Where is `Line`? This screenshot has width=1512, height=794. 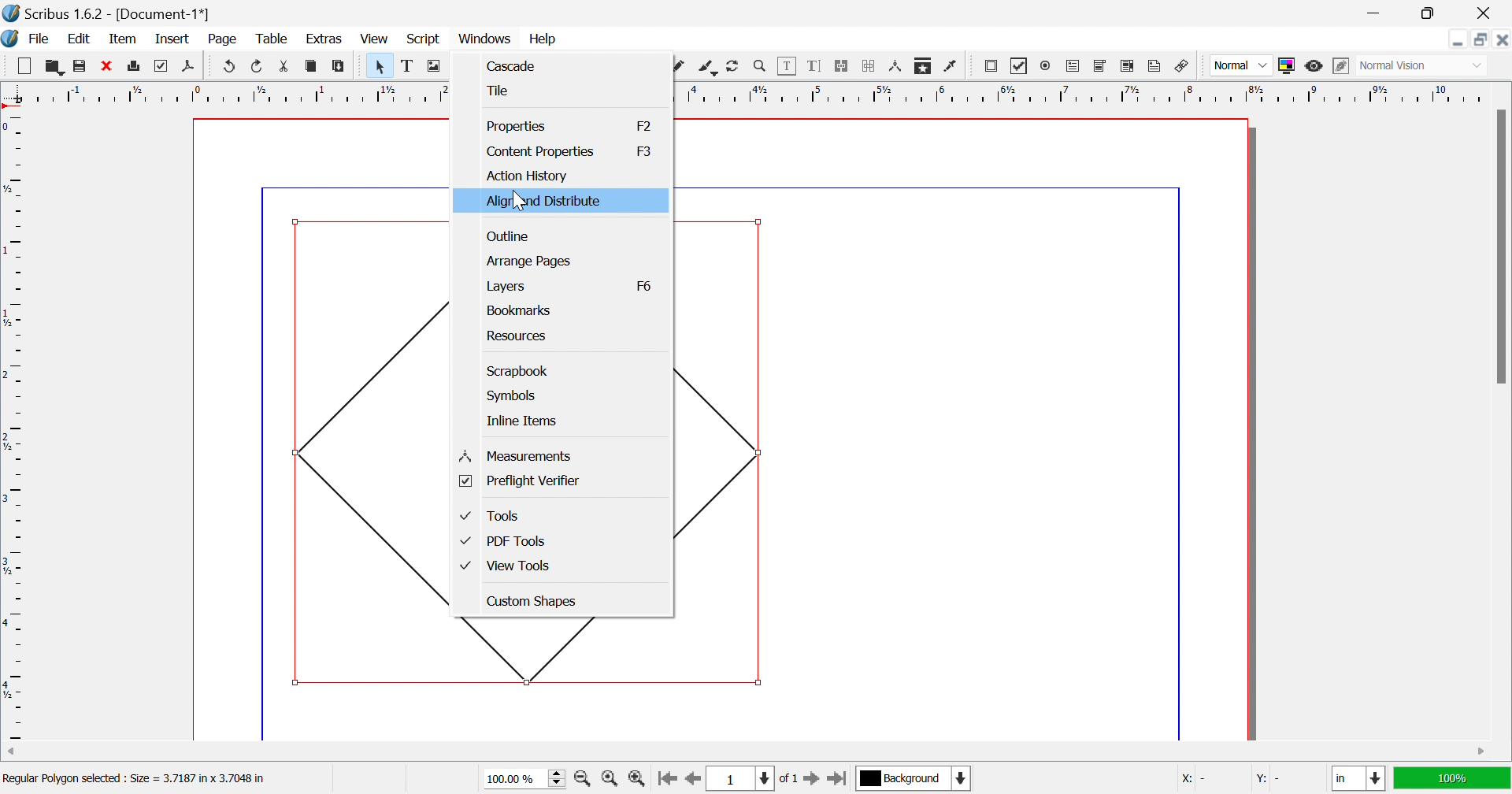
Line is located at coordinates (624, 65).